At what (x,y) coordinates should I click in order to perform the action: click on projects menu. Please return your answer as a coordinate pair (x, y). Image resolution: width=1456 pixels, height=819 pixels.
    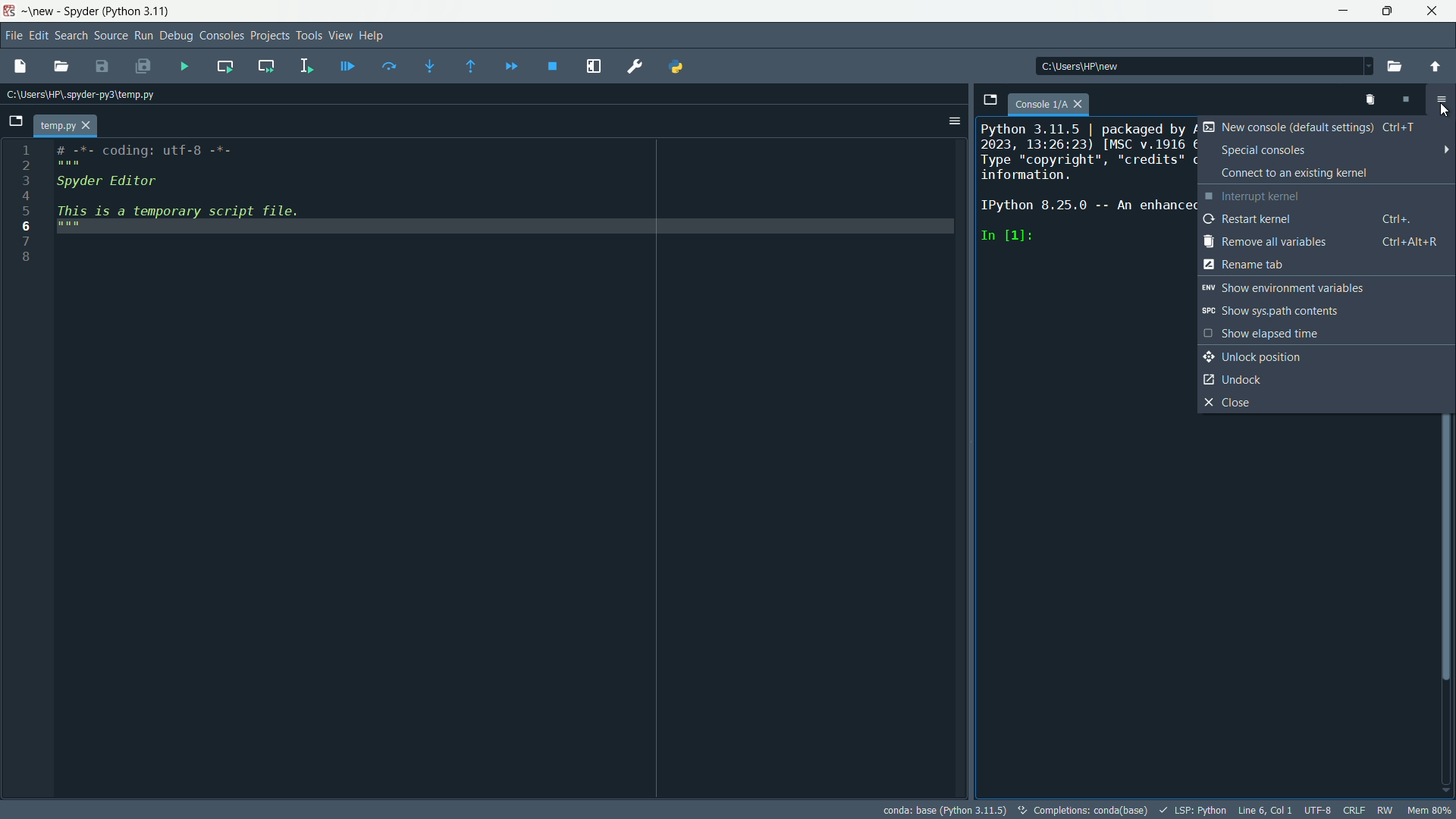
    Looking at the image, I should click on (269, 35).